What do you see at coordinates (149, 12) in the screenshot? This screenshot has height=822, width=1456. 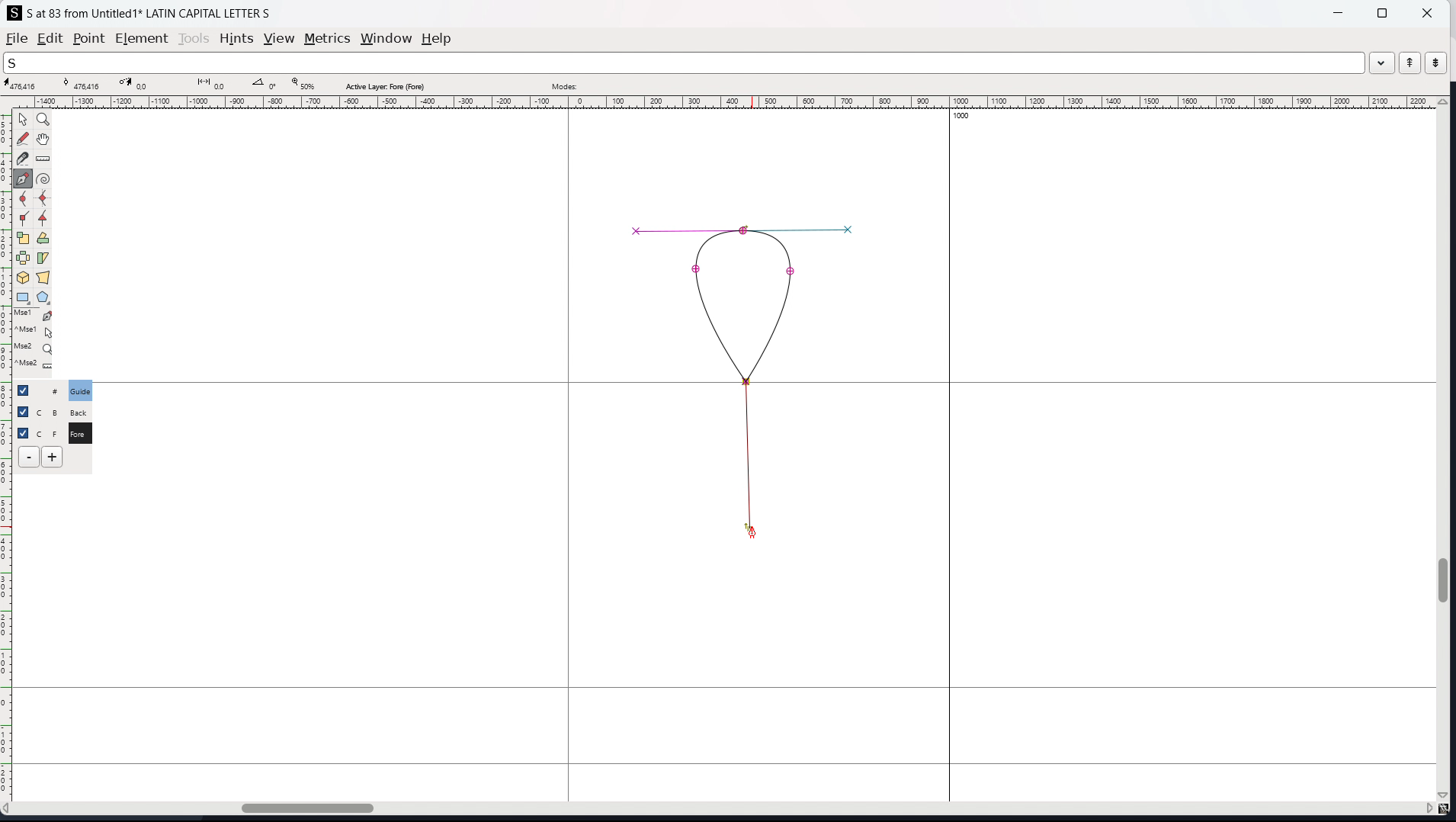 I see `S at 83 from Untitled 1 LATIN CAPITAL LETTER S` at bounding box center [149, 12].